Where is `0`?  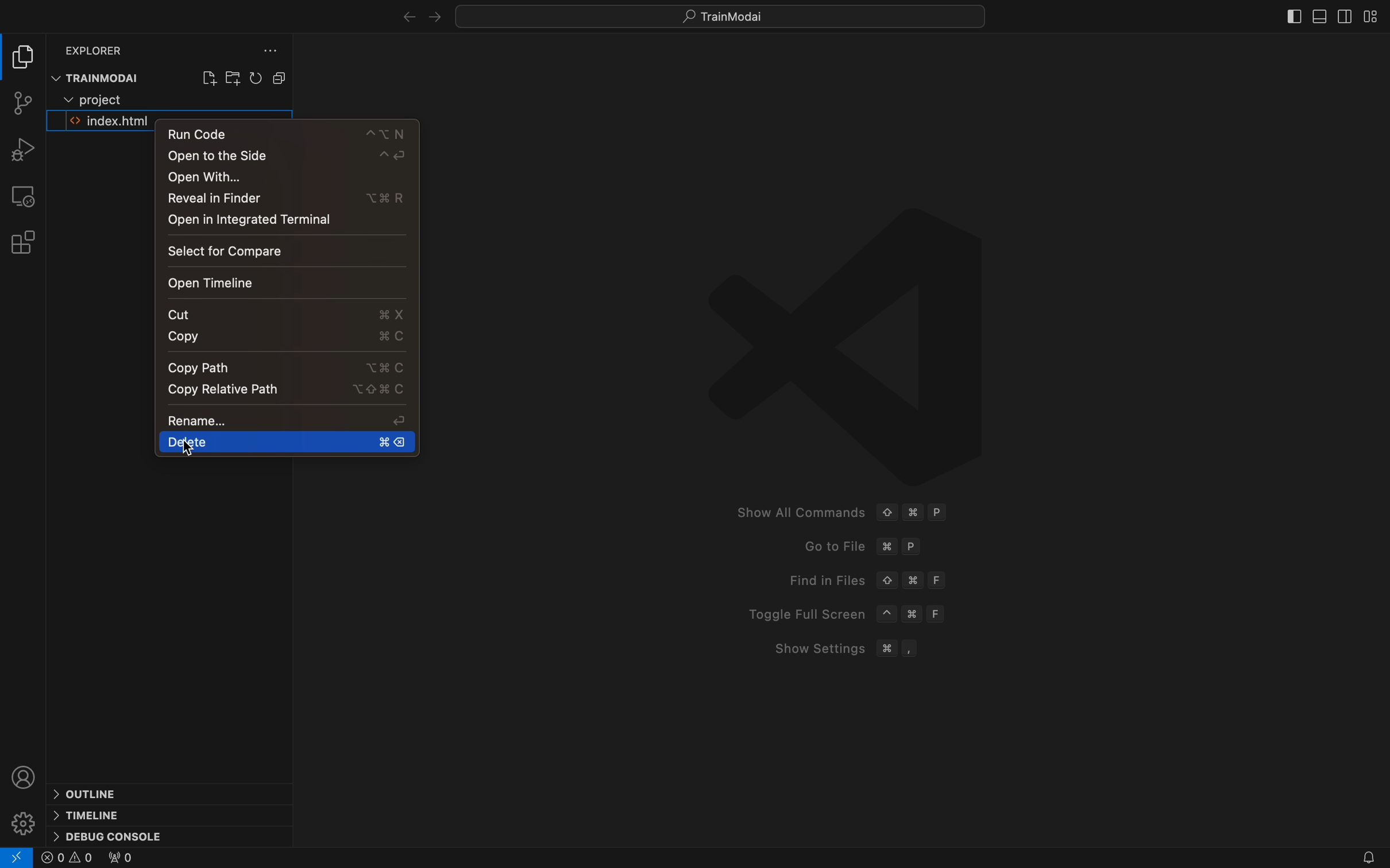 0 is located at coordinates (68, 859).